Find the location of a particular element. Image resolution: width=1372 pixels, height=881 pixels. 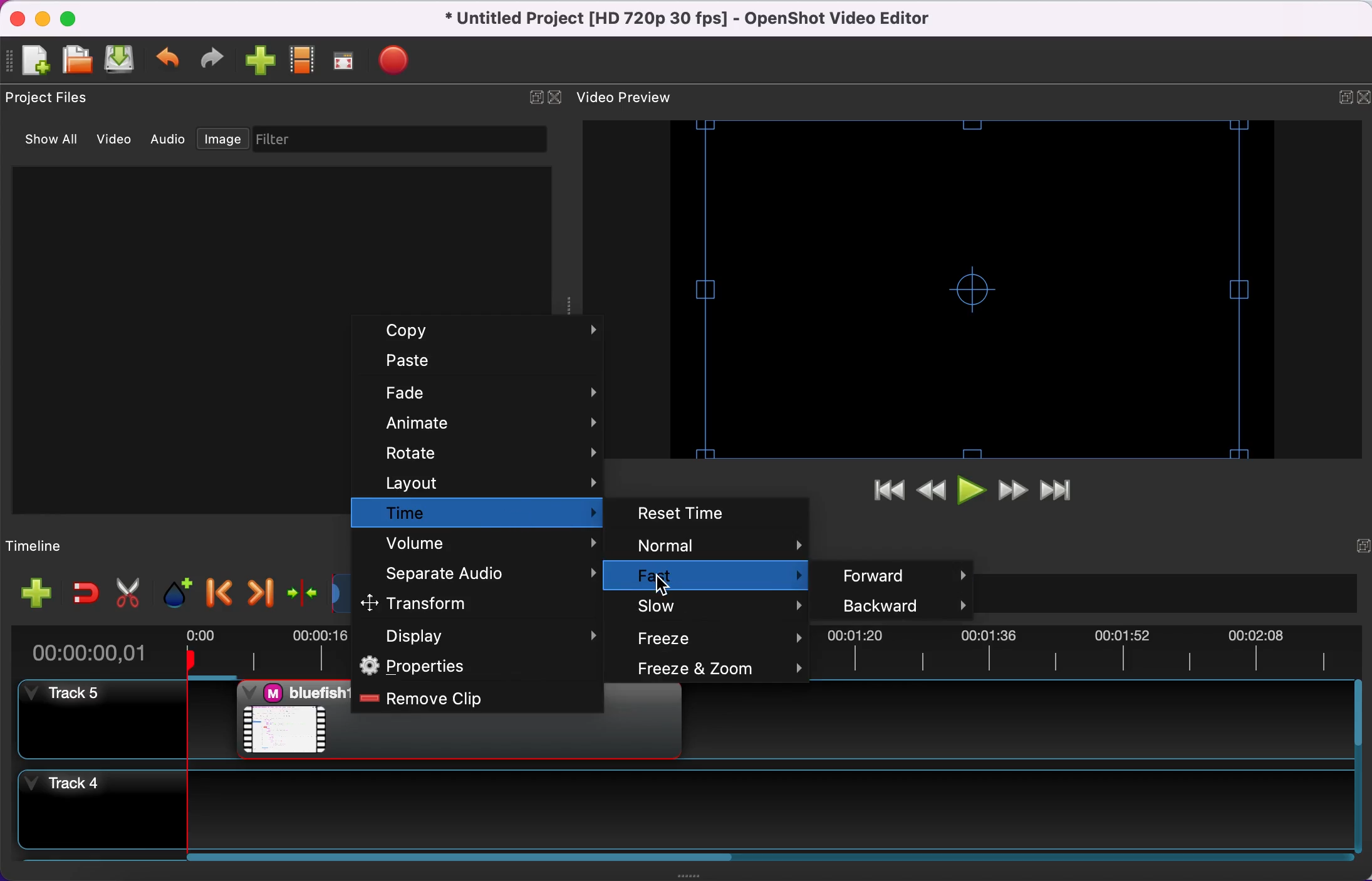

fast forward is located at coordinates (1014, 491).